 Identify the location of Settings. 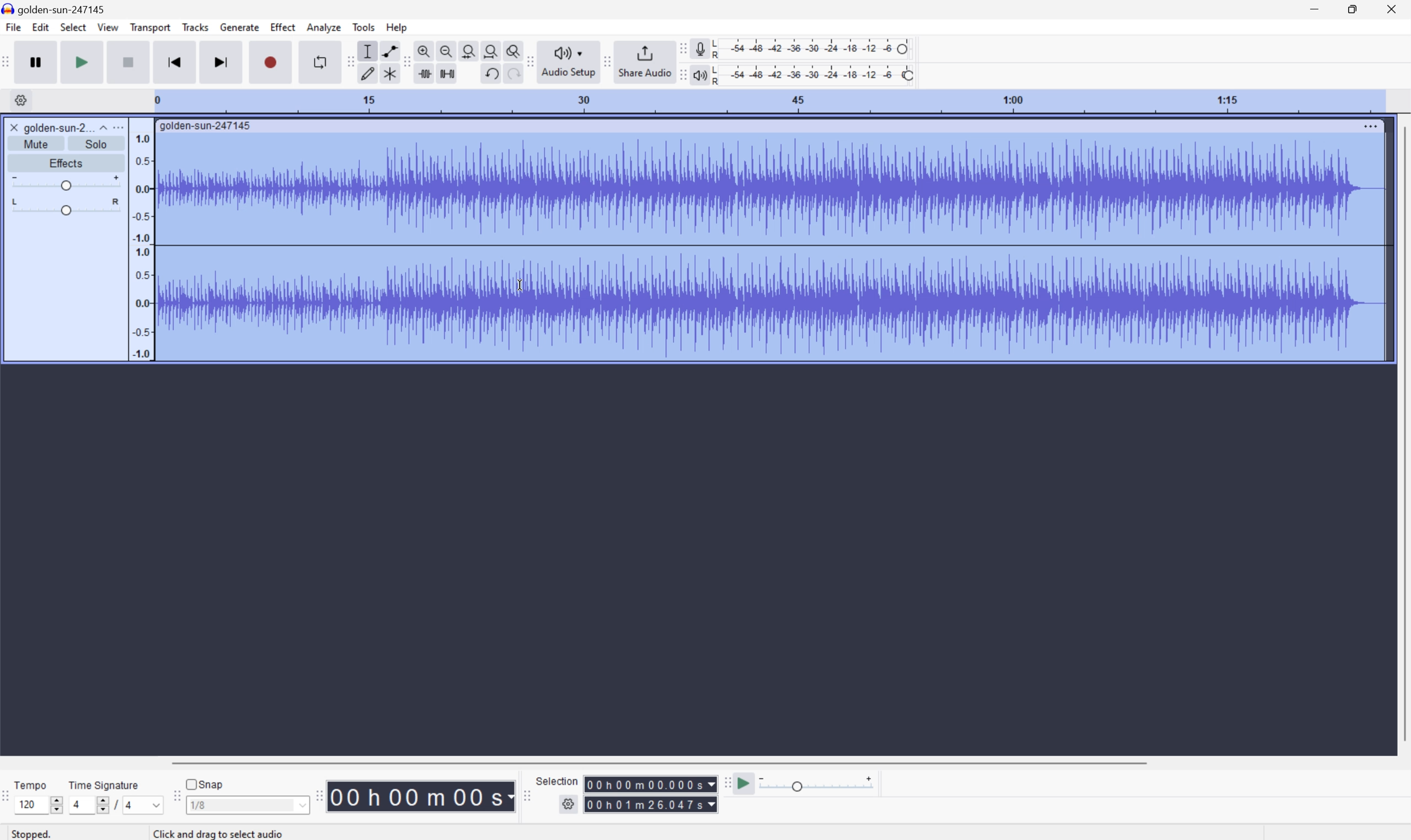
(570, 807).